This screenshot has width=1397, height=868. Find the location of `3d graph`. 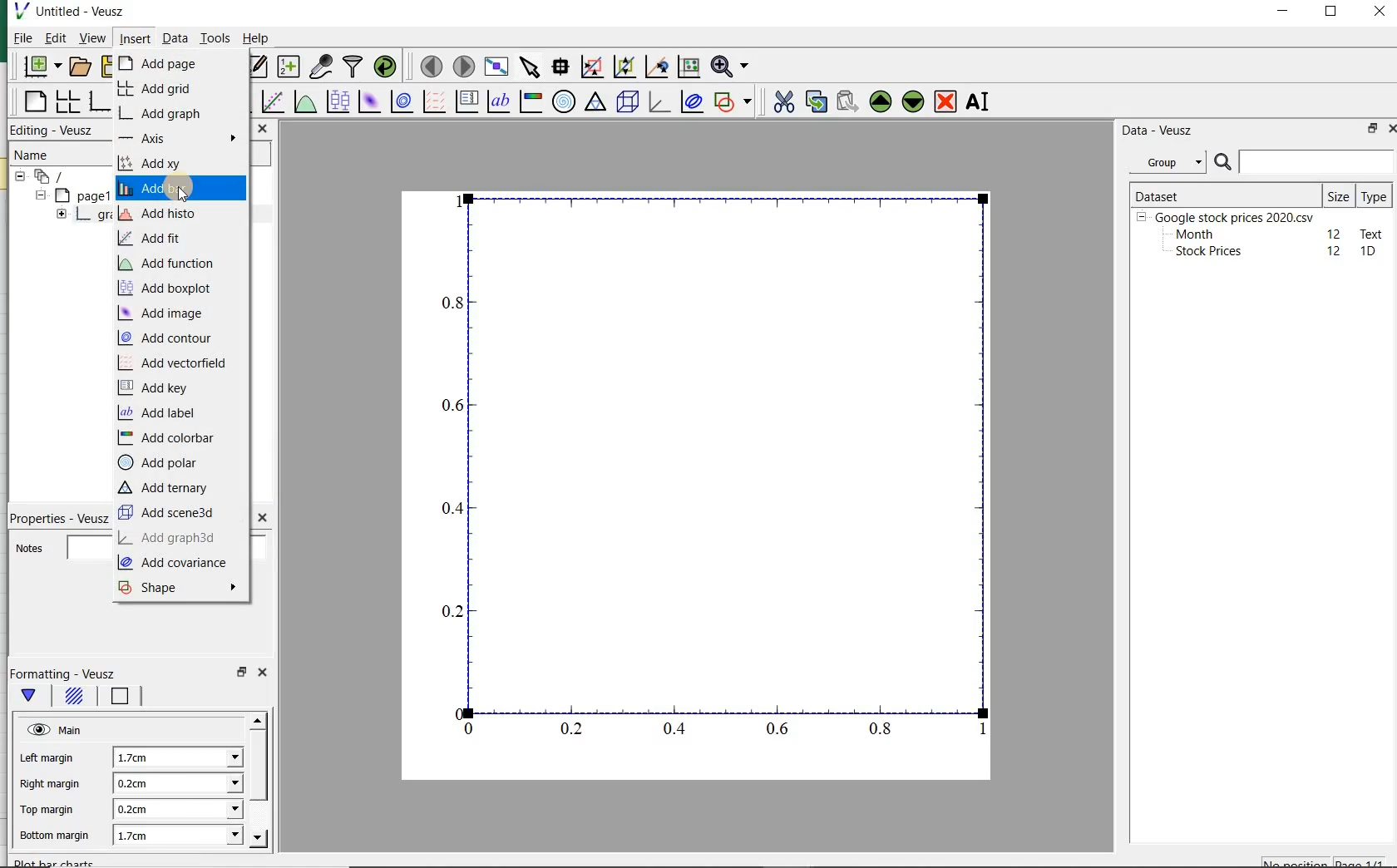

3d graph is located at coordinates (659, 103).